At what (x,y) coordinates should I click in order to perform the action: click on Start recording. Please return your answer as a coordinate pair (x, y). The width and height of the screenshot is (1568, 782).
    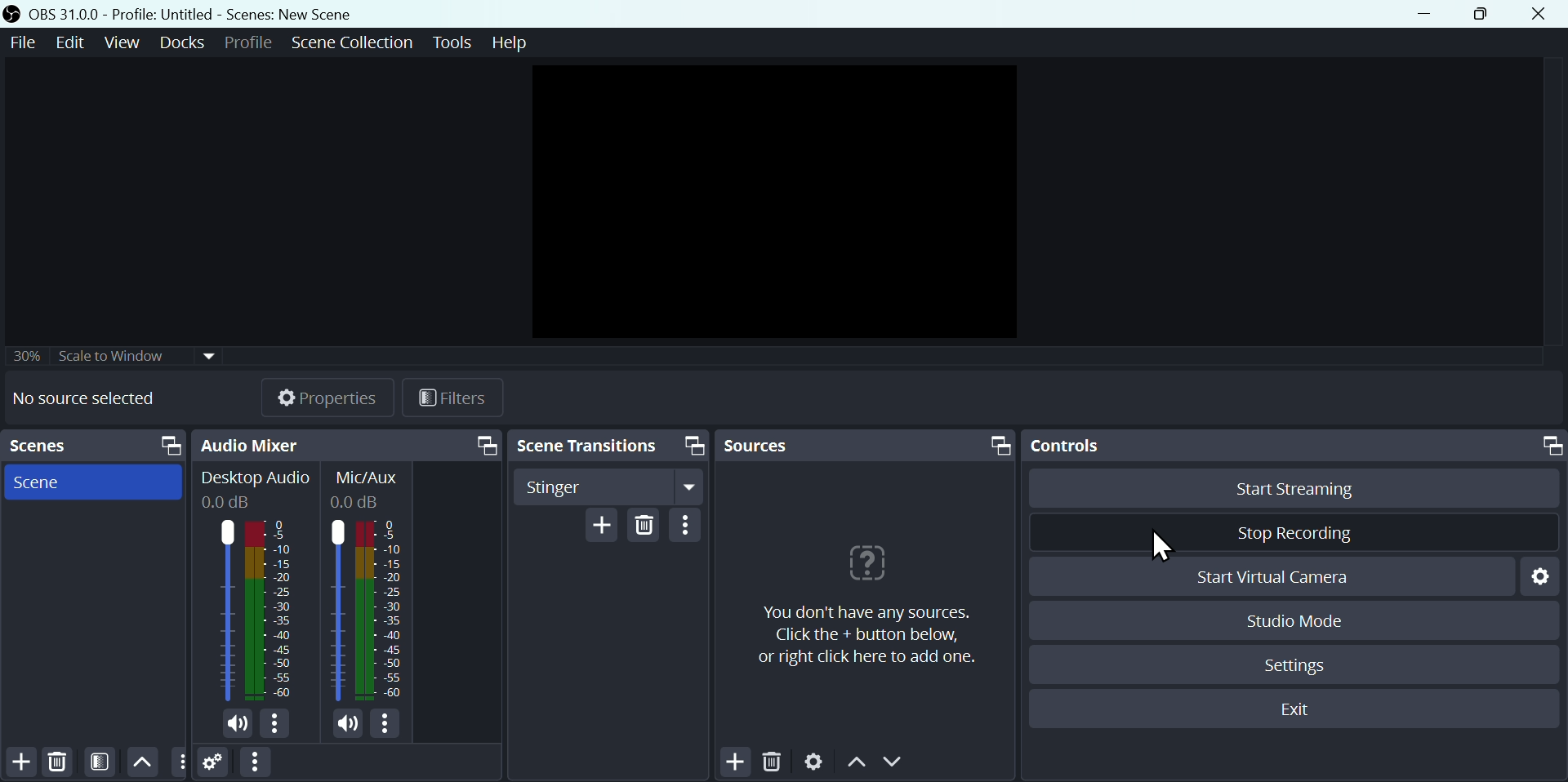
    Looking at the image, I should click on (1294, 531).